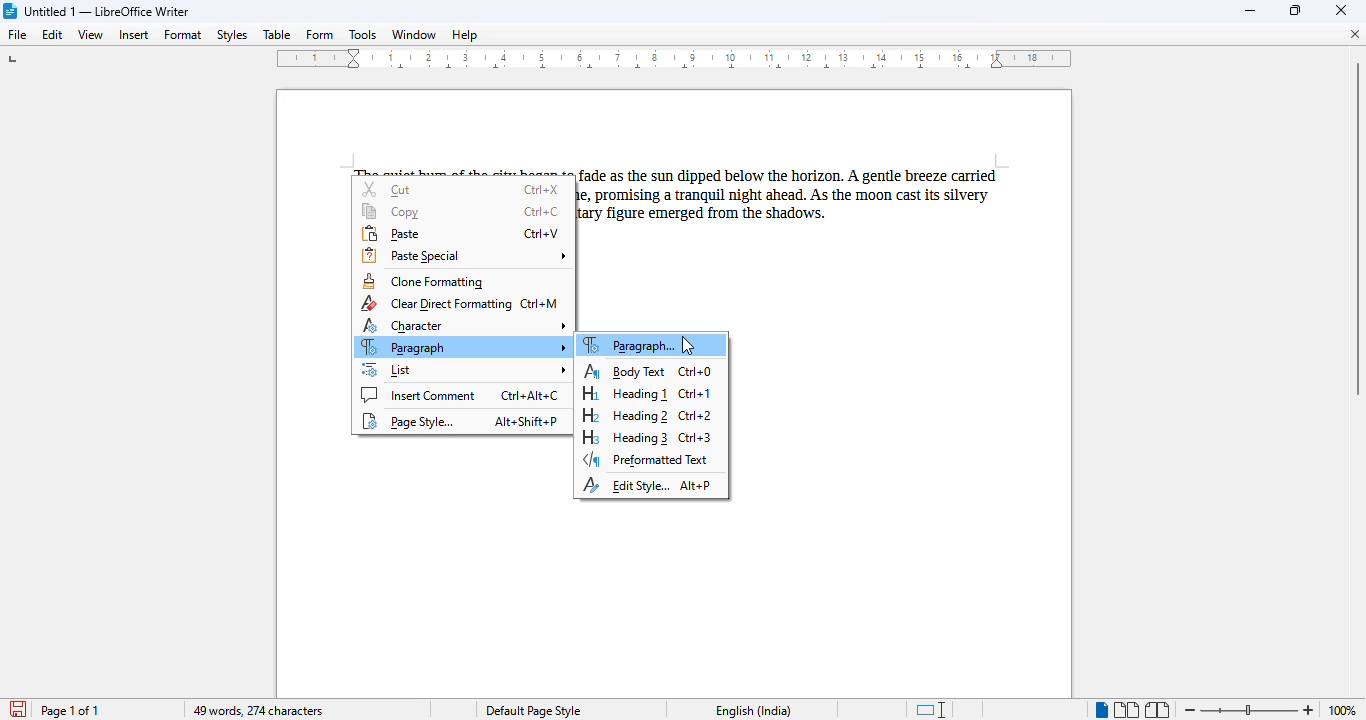 The width and height of the screenshot is (1366, 720). I want to click on book view, so click(1158, 710).